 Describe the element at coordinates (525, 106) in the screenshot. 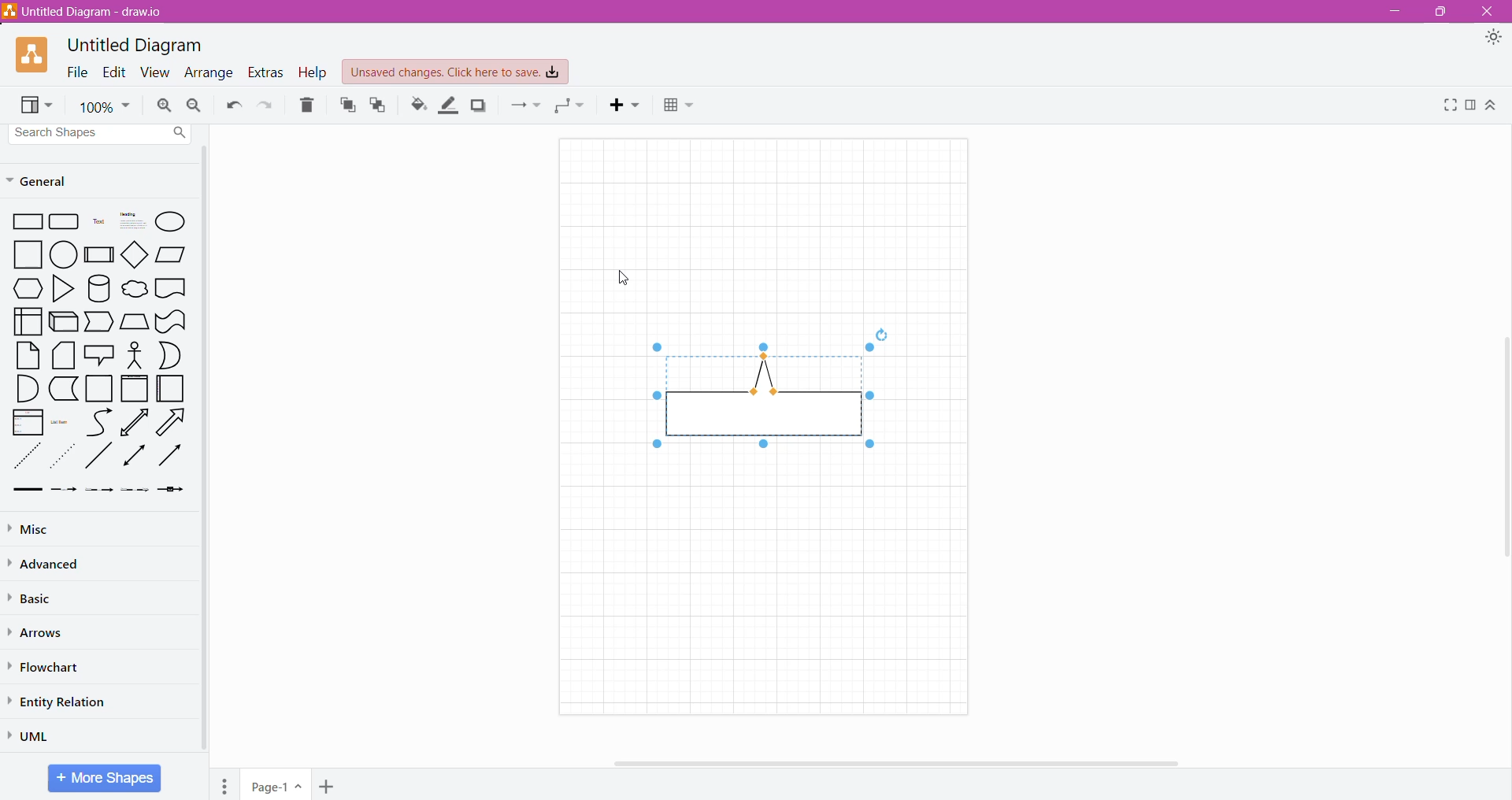

I see `Connection` at that location.